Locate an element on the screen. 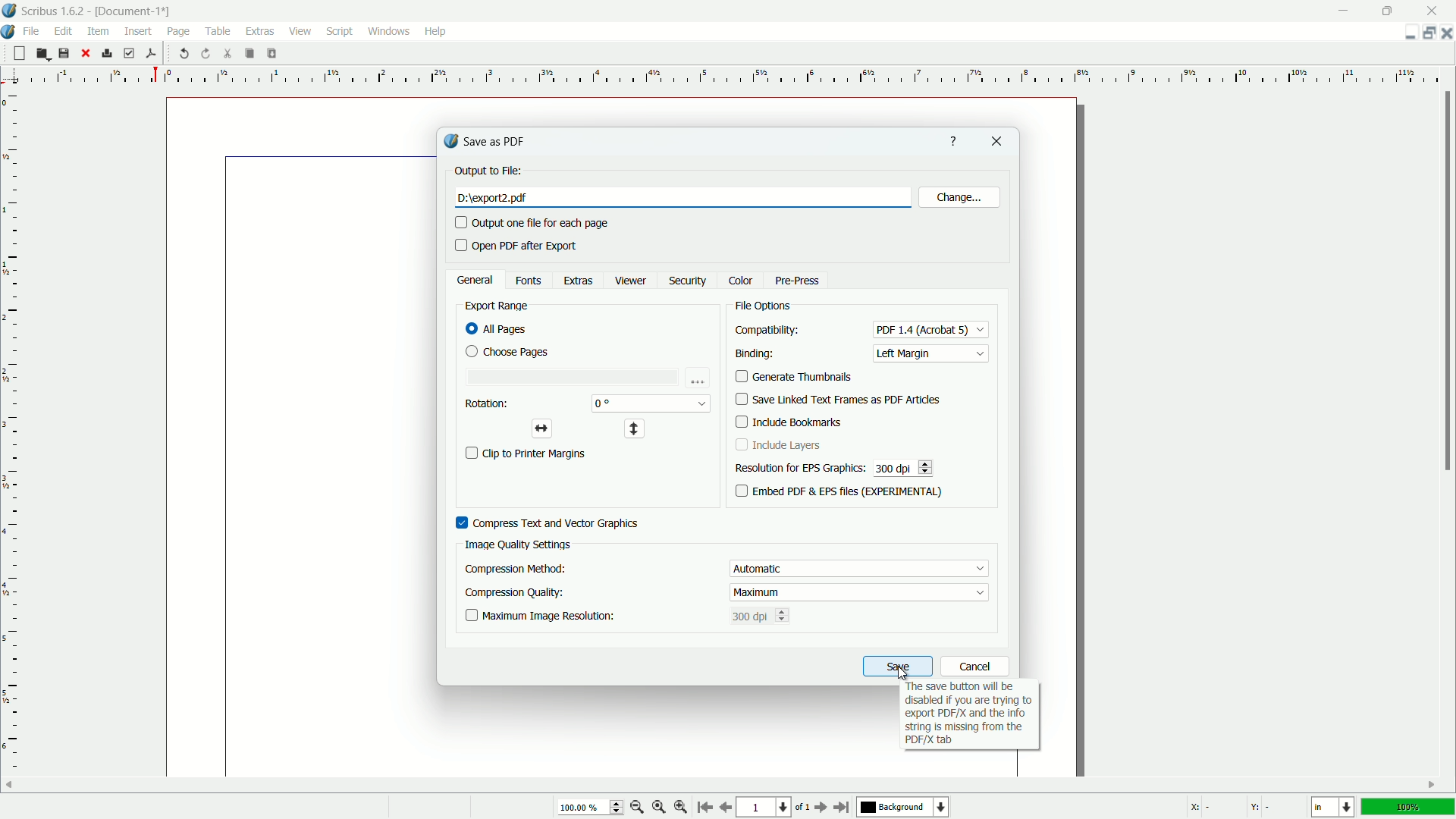 The width and height of the screenshot is (1456, 819). general is located at coordinates (475, 281).